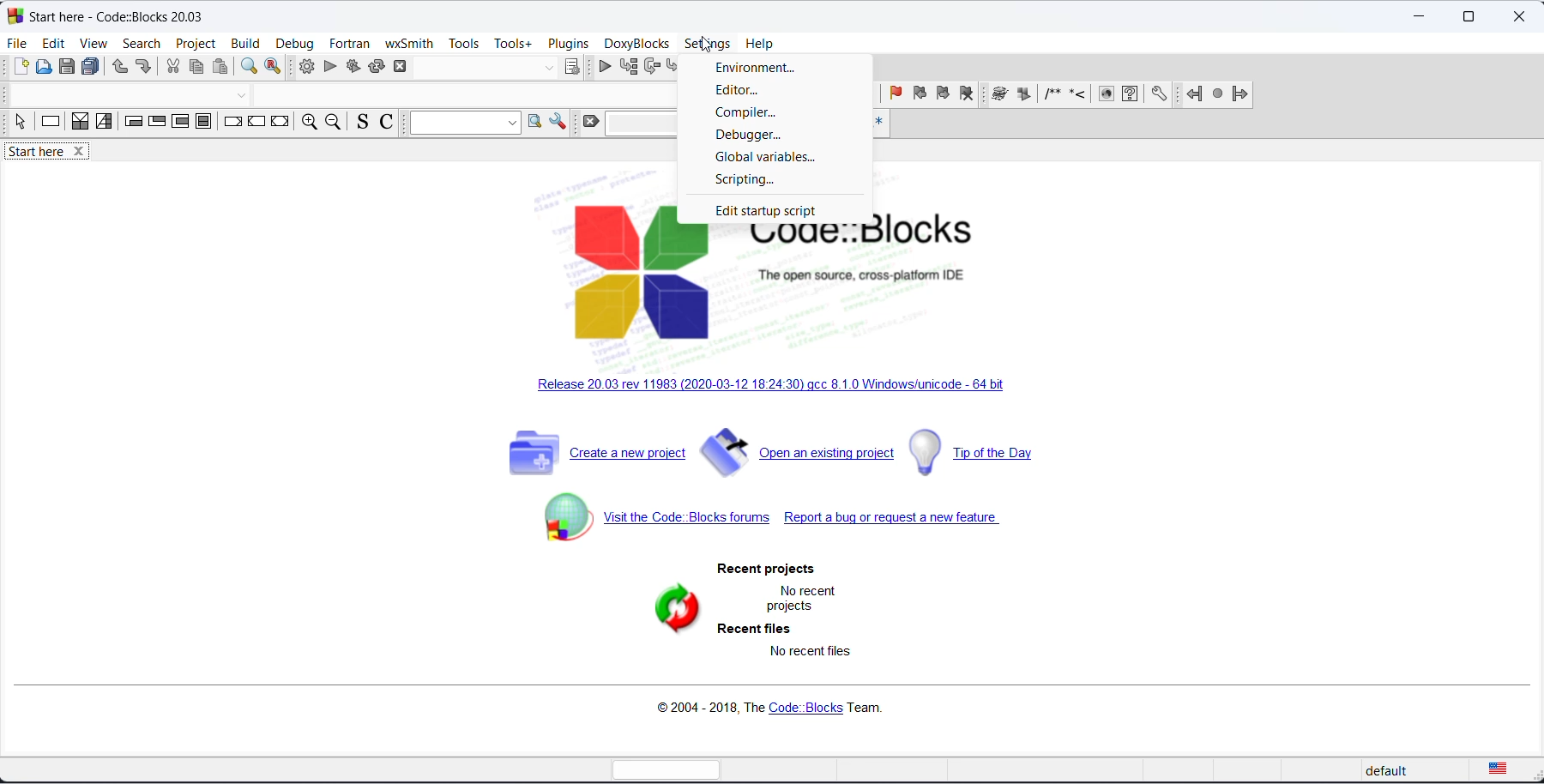  What do you see at coordinates (197, 65) in the screenshot?
I see `copy` at bounding box center [197, 65].